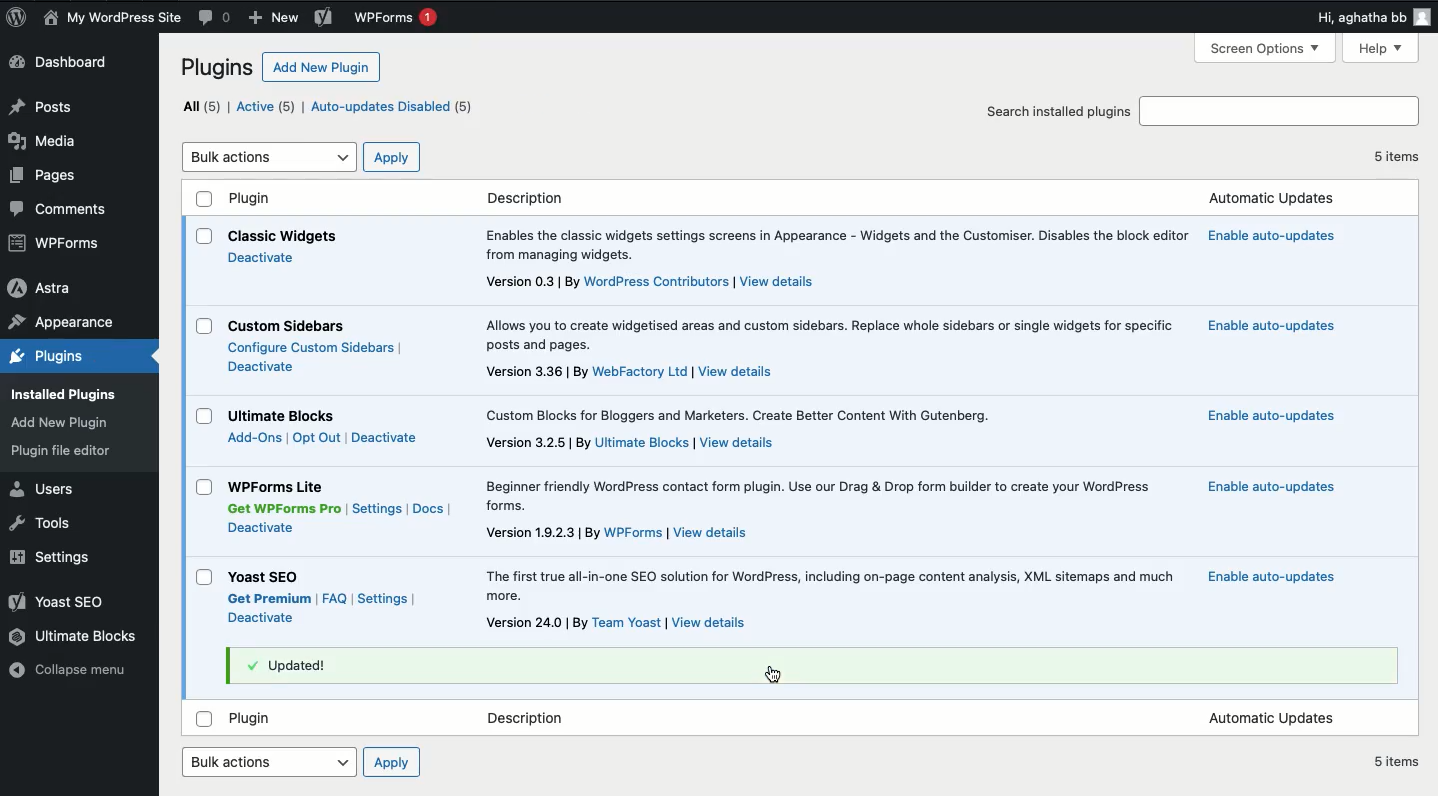 The image size is (1438, 796). What do you see at coordinates (66, 242) in the screenshot?
I see `WPForms` at bounding box center [66, 242].